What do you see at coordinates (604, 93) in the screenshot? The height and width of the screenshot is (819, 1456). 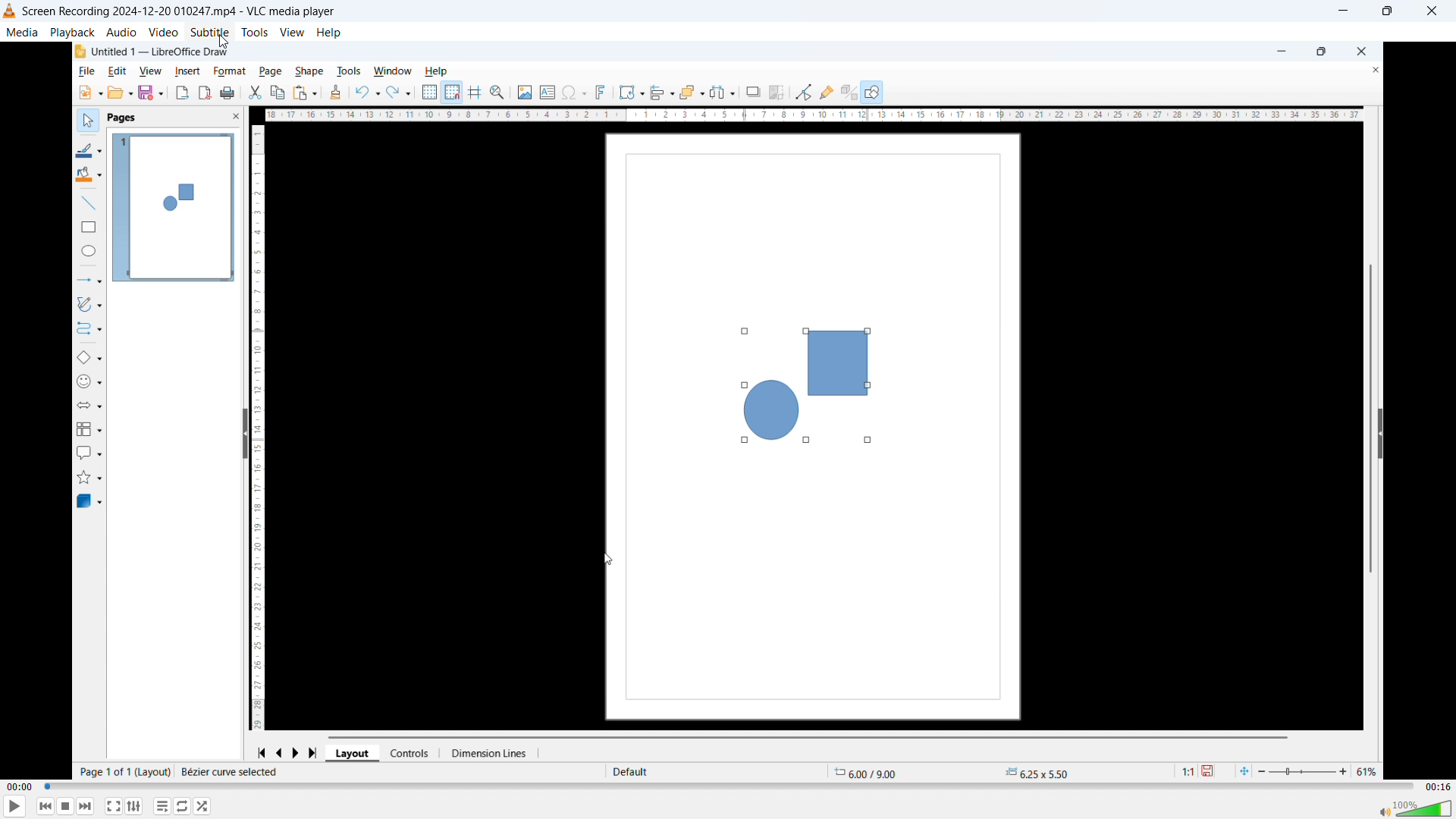 I see `fontwork text` at bounding box center [604, 93].